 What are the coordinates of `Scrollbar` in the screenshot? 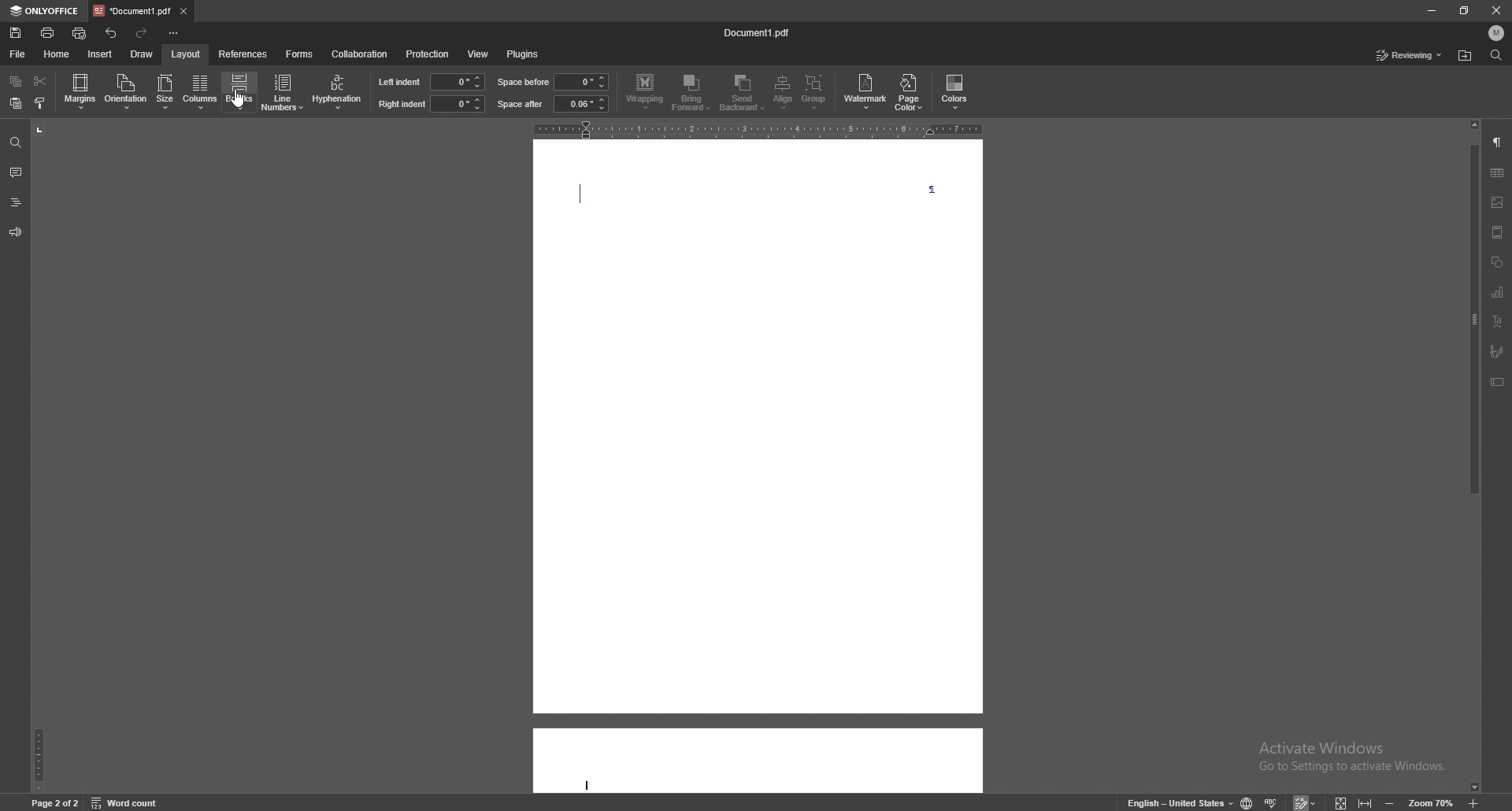 It's located at (1469, 306).